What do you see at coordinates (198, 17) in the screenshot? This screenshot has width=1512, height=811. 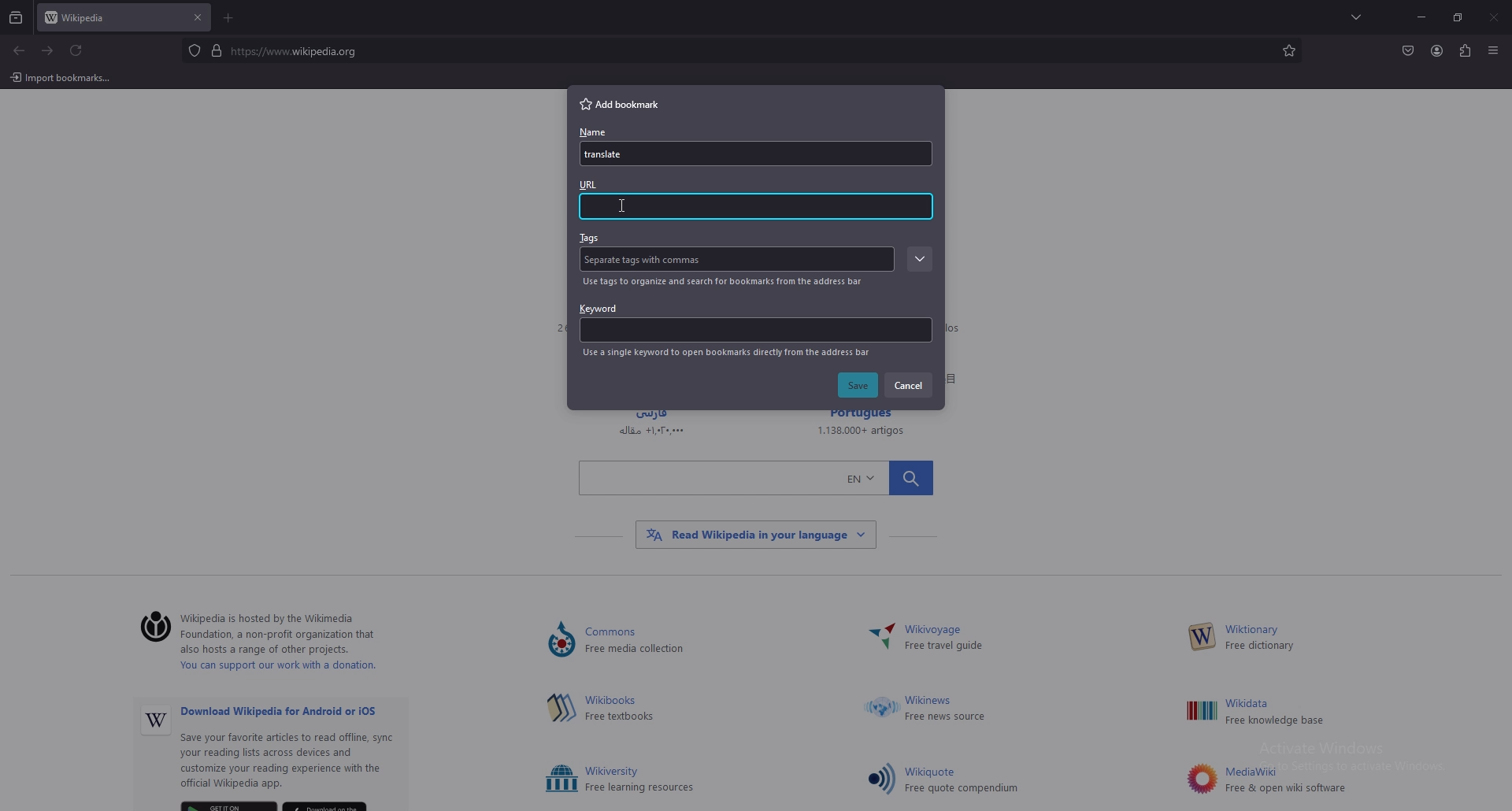 I see `close tab` at bounding box center [198, 17].